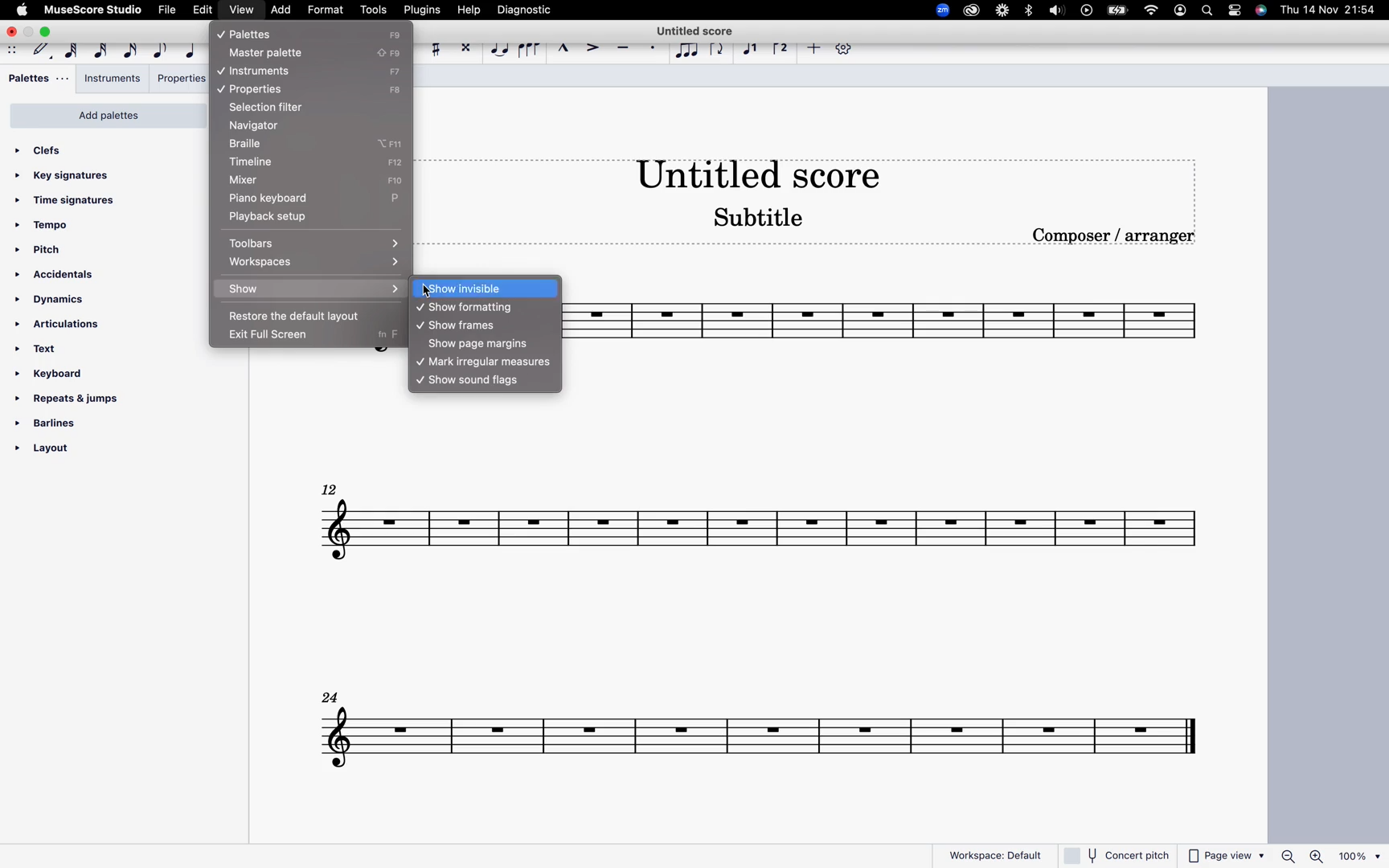 This screenshot has height=868, width=1389. Describe the element at coordinates (481, 307) in the screenshot. I see `show formating` at that location.